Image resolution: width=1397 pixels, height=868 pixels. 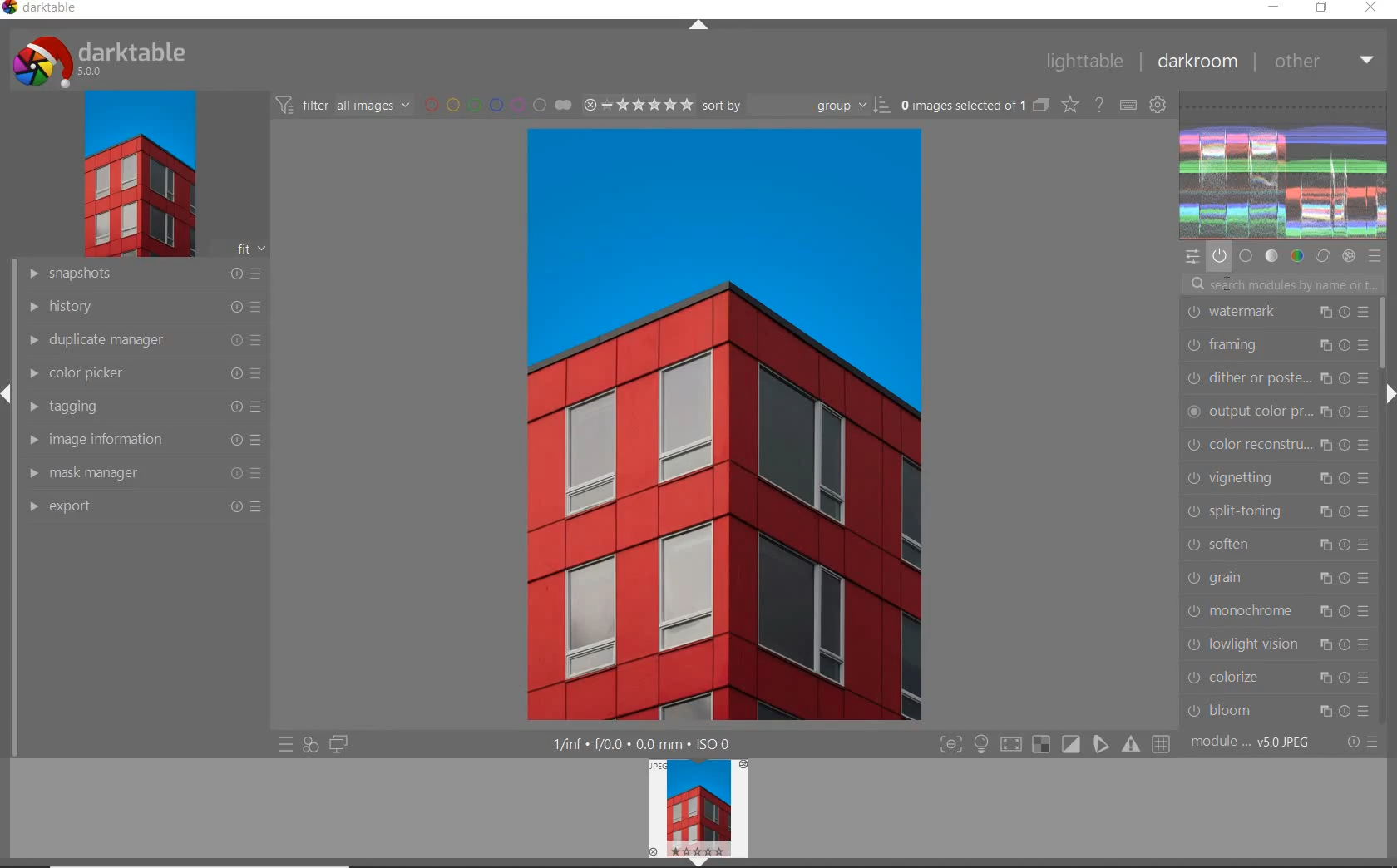 What do you see at coordinates (144, 507) in the screenshot?
I see `export` at bounding box center [144, 507].